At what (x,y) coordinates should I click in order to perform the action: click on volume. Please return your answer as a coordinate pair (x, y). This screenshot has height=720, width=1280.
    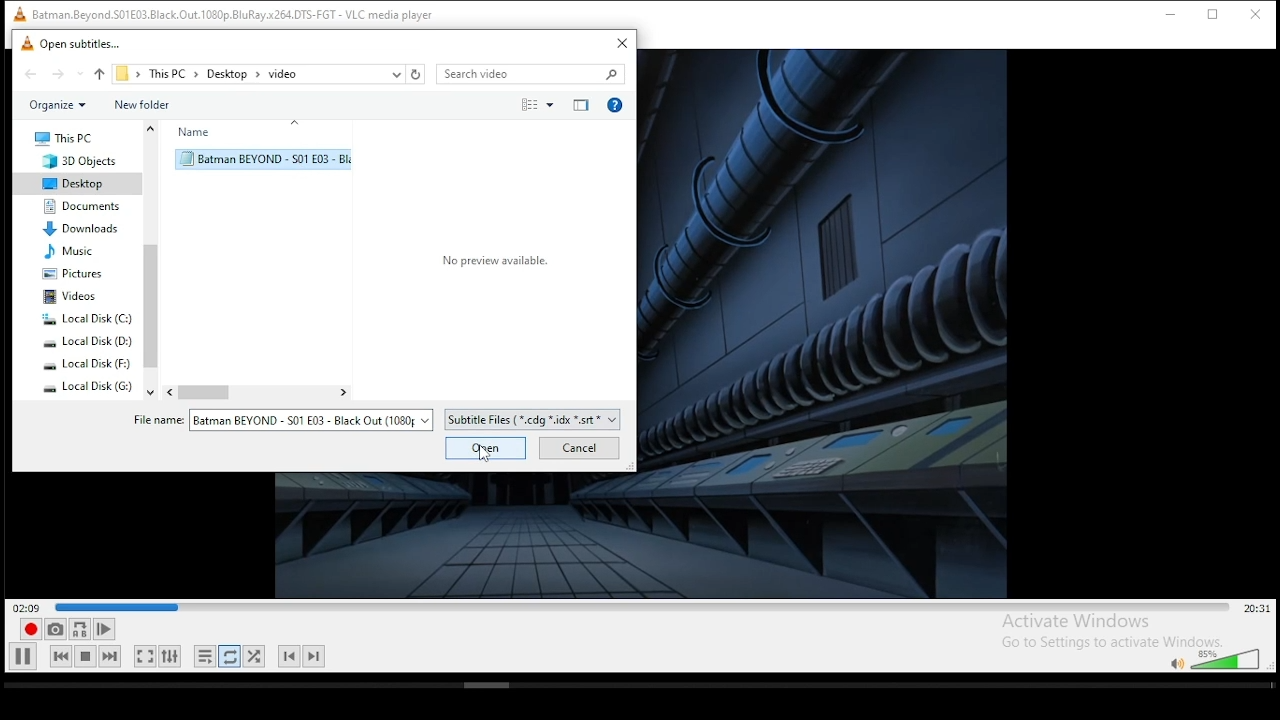
    Looking at the image, I should click on (1228, 658).